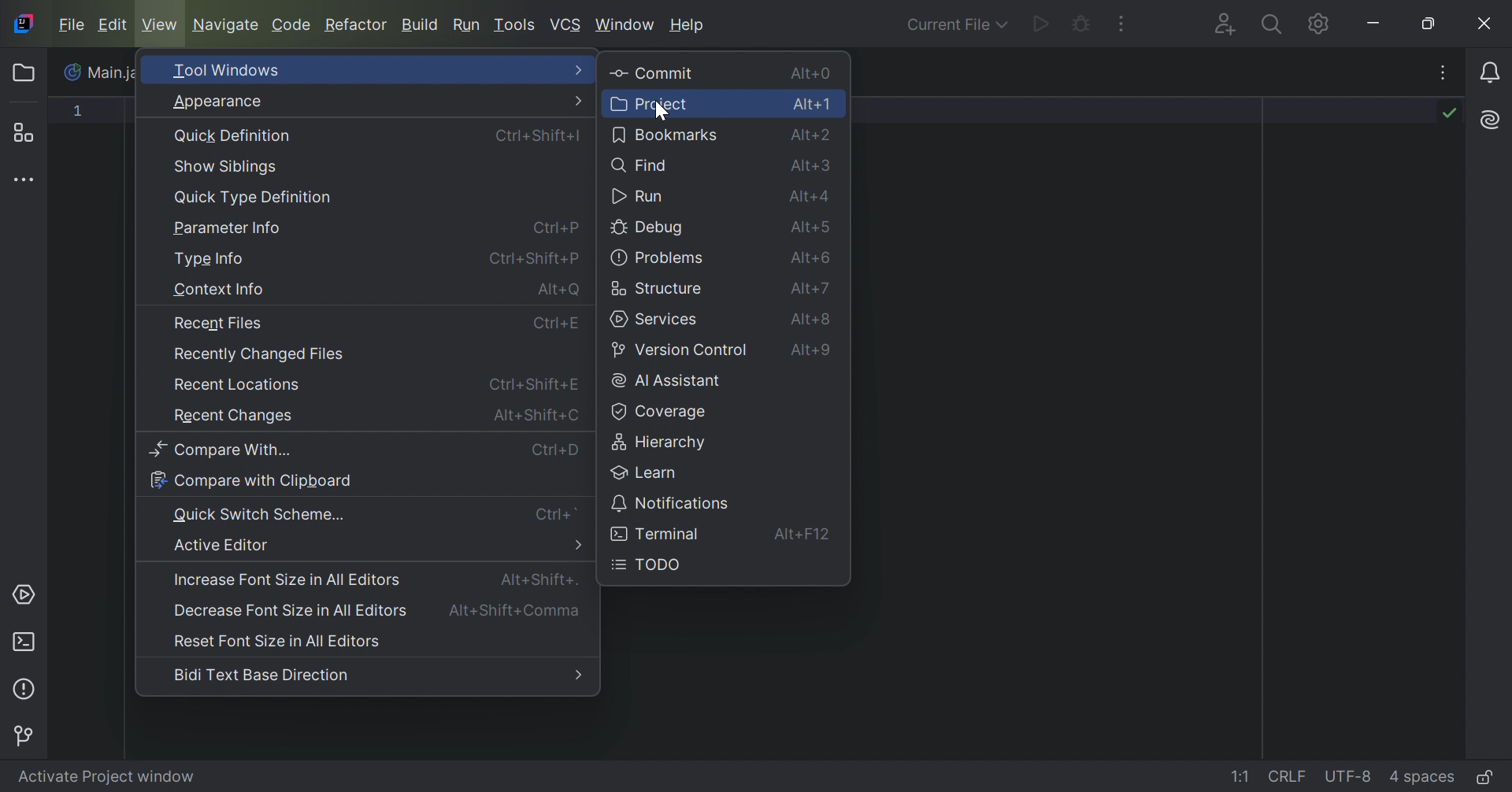  Describe the element at coordinates (662, 112) in the screenshot. I see `Cursor` at that location.